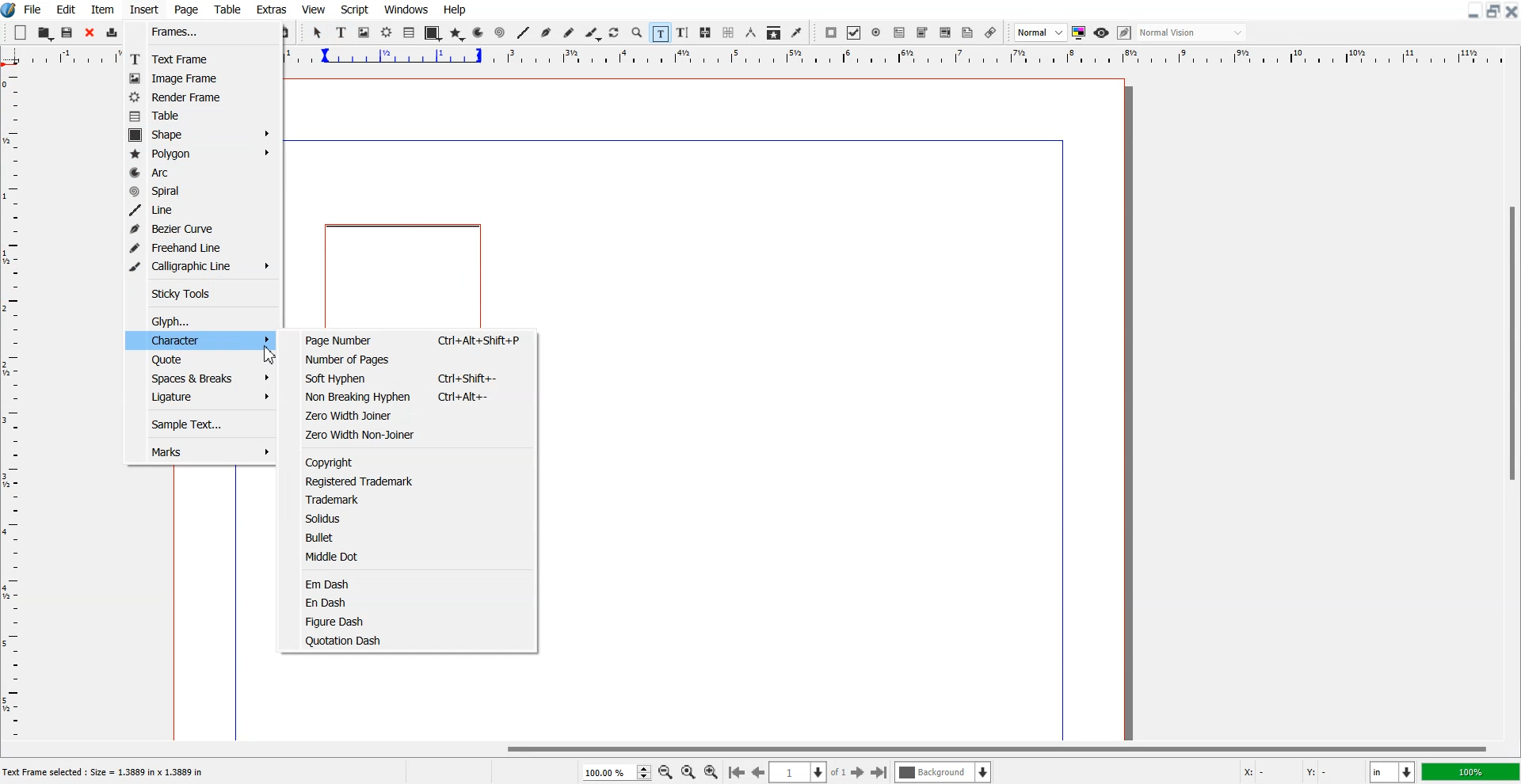  What do you see at coordinates (660, 32) in the screenshot?
I see `Edit content of frame` at bounding box center [660, 32].